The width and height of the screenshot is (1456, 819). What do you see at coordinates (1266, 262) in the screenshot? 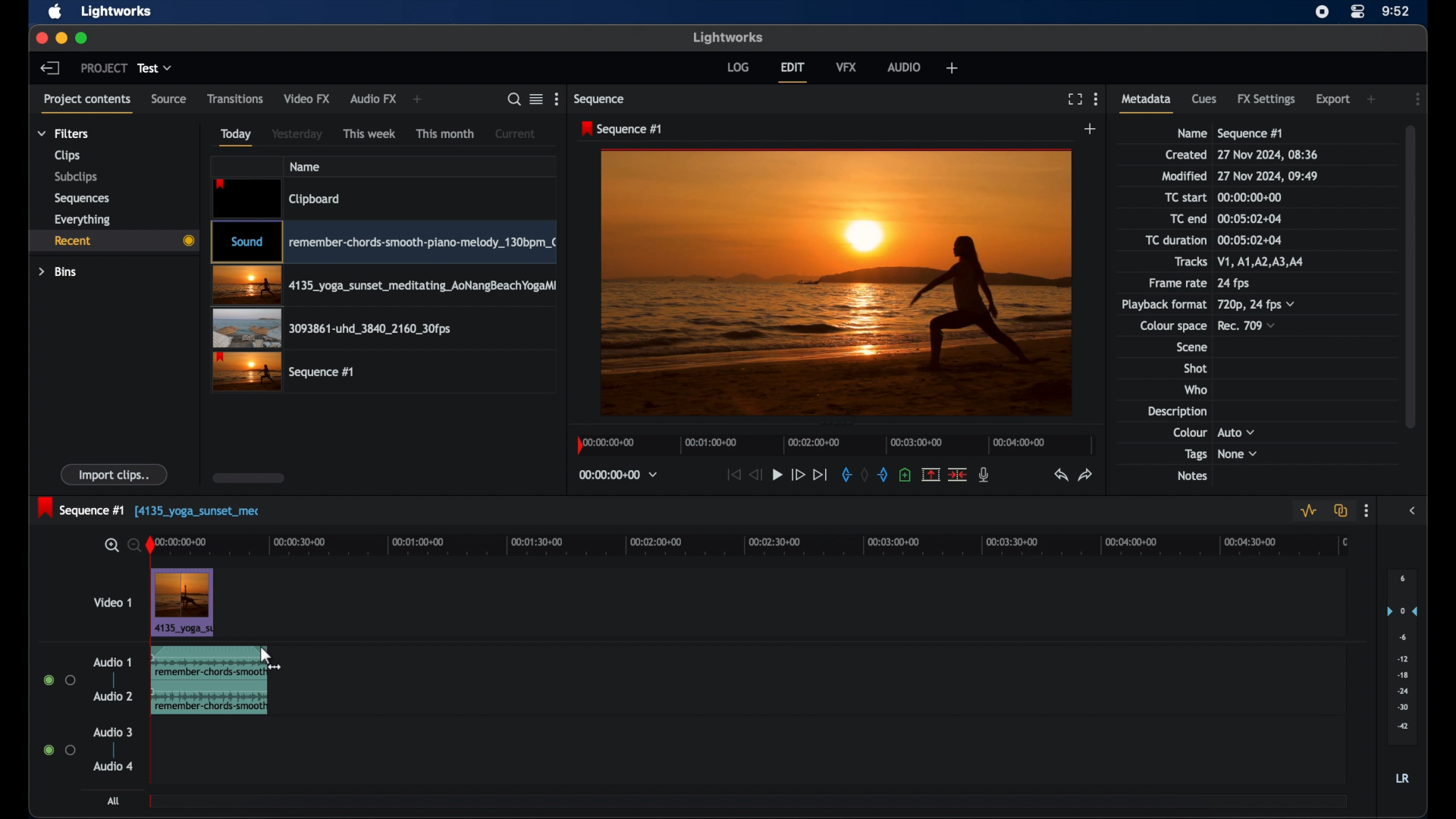
I see `tracks` at bounding box center [1266, 262].